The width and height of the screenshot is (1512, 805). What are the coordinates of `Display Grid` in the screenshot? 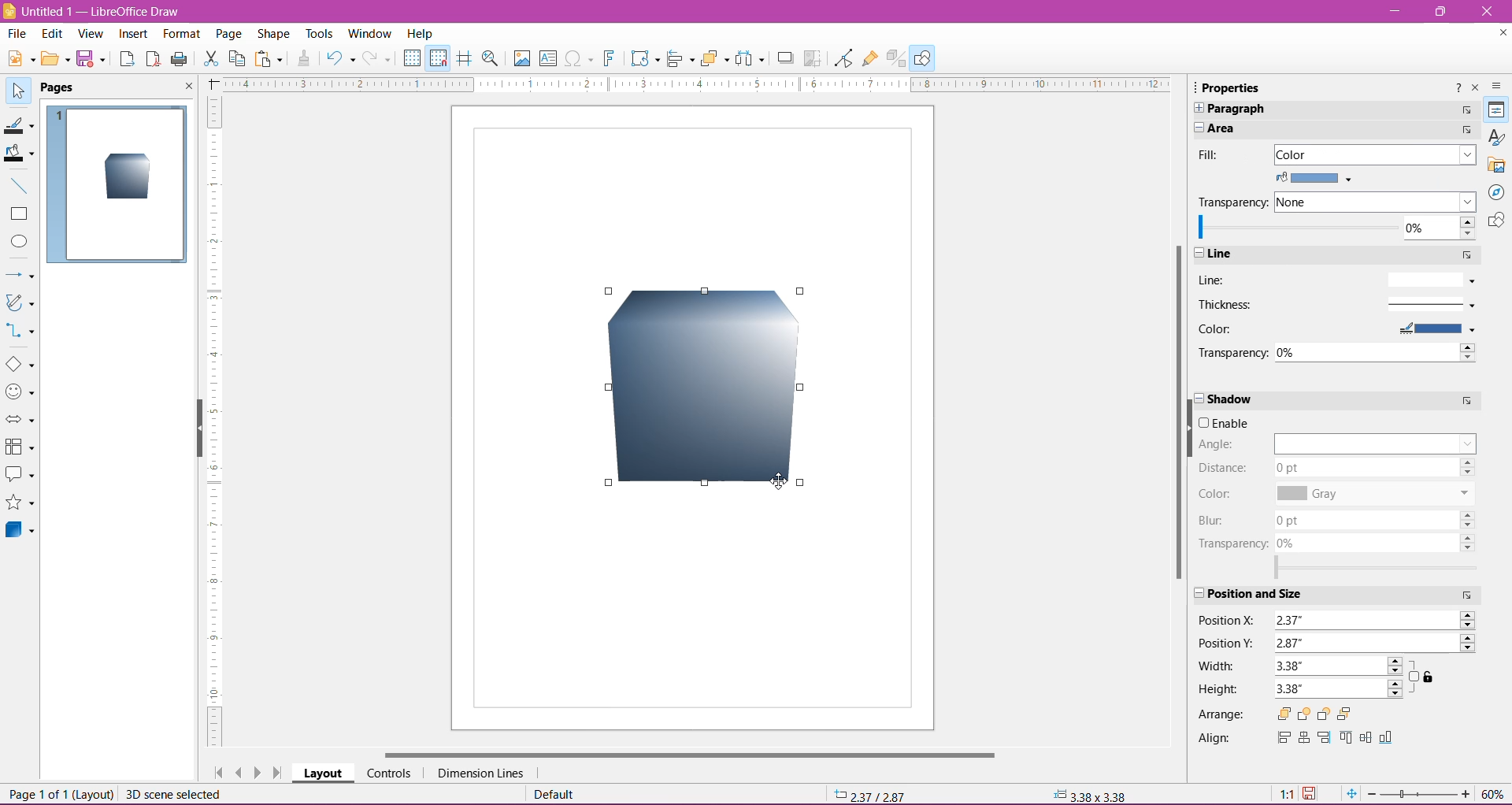 It's located at (412, 58).